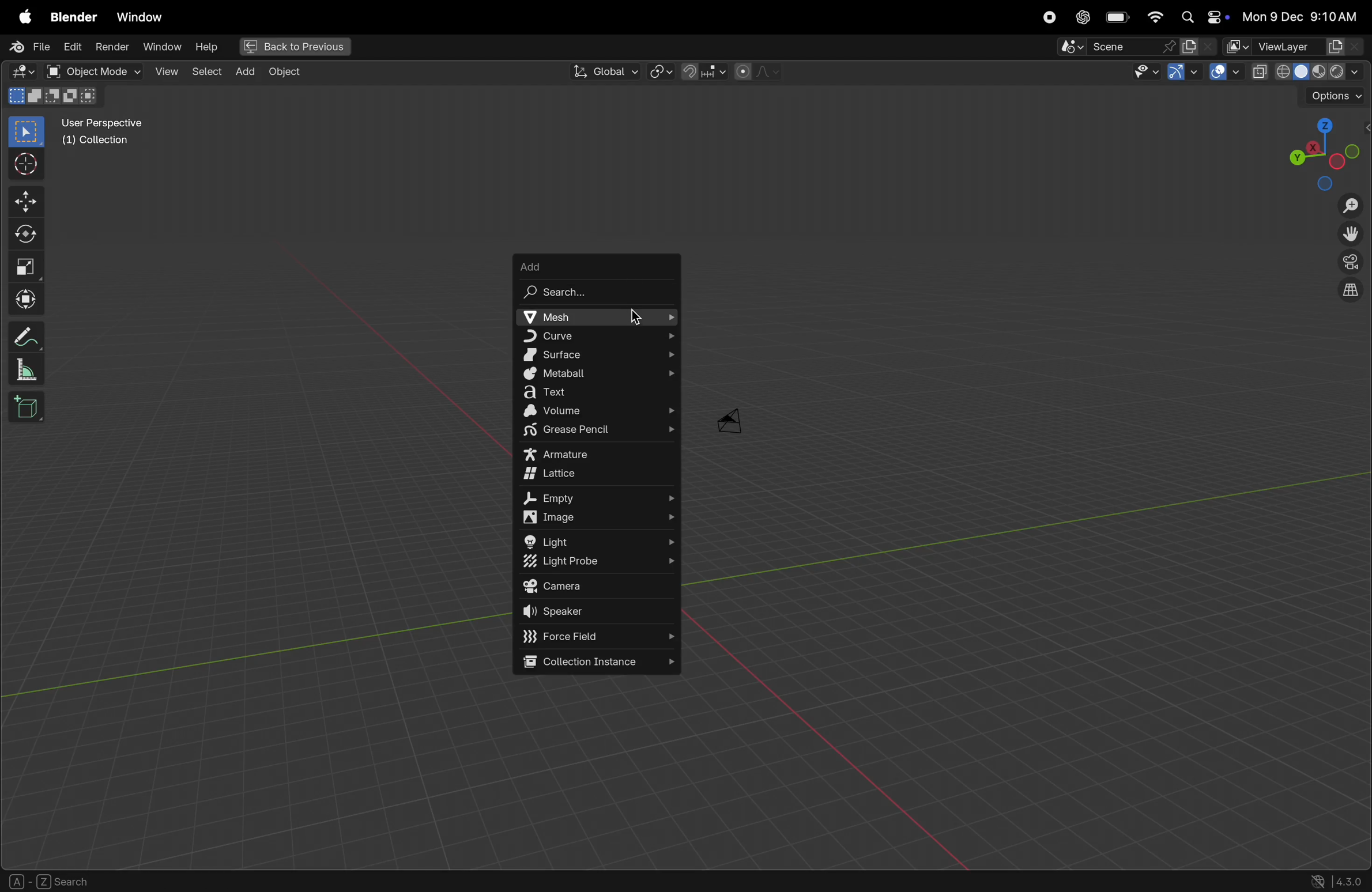  What do you see at coordinates (28, 334) in the screenshot?
I see `annotate` at bounding box center [28, 334].